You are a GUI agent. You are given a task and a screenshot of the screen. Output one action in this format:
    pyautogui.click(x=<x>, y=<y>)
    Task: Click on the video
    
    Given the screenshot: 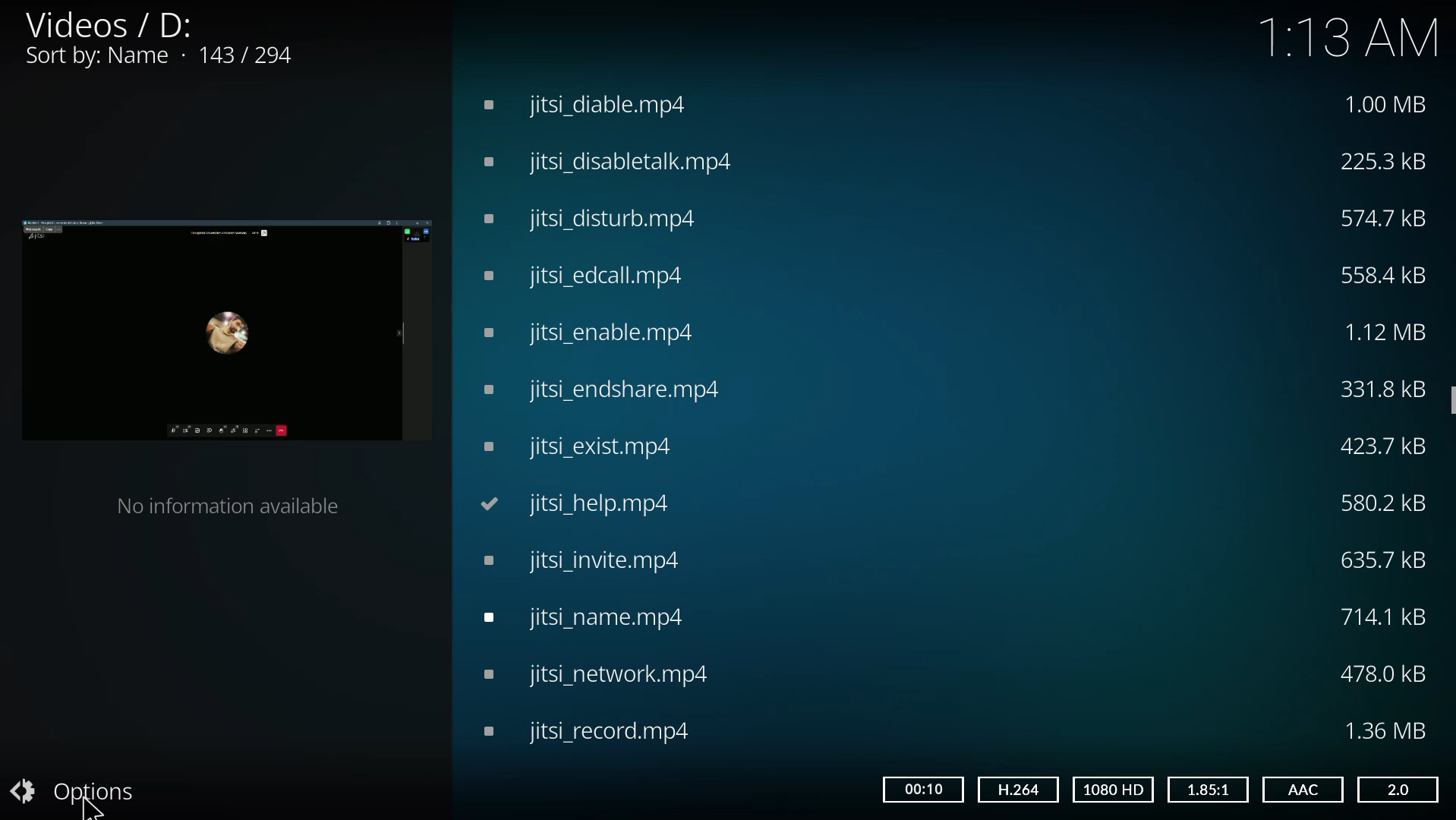 What is the action you would take?
    pyautogui.click(x=585, y=736)
    